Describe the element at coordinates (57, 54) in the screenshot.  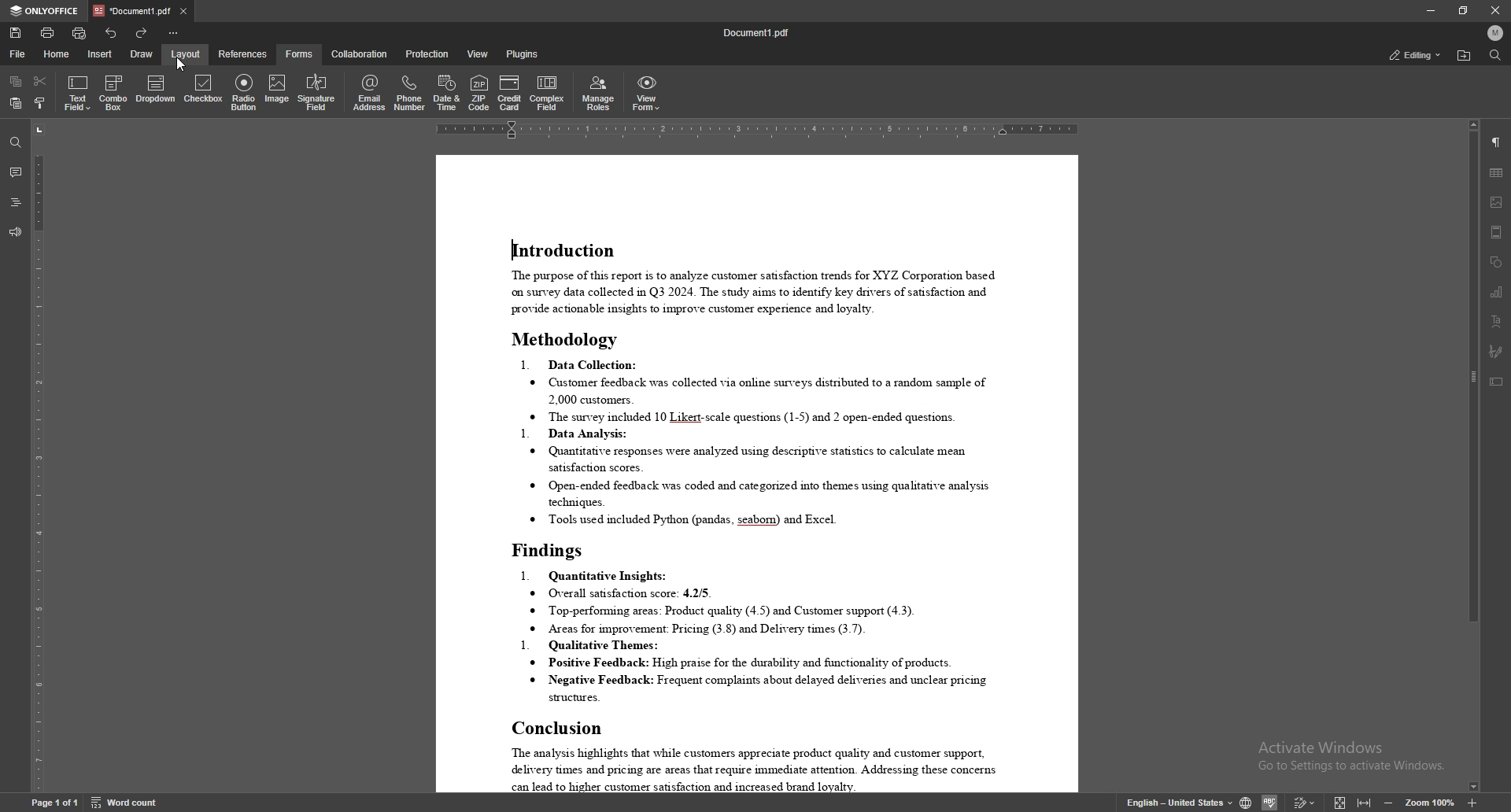
I see `home` at that location.